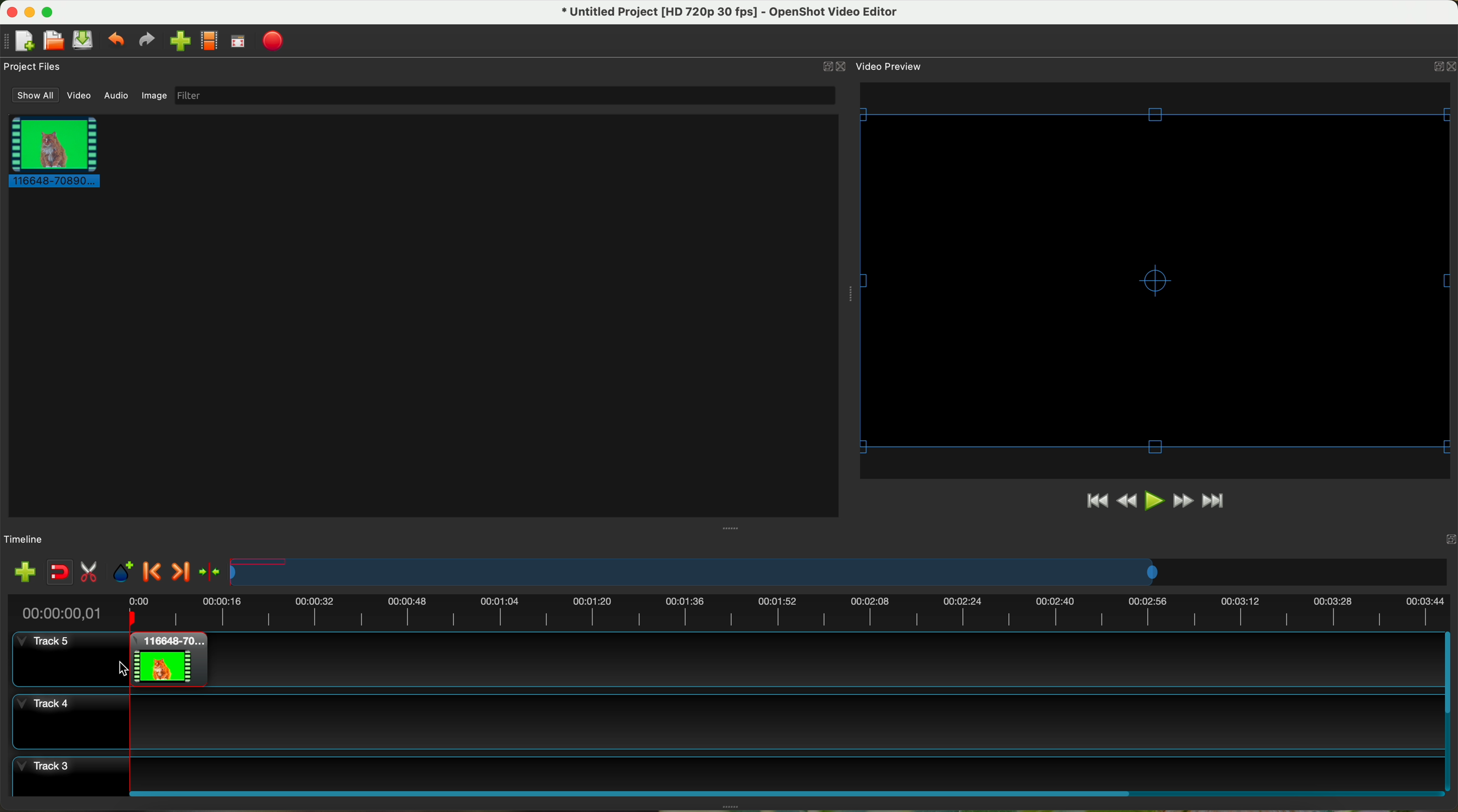  What do you see at coordinates (33, 95) in the screenshot?
I see `show all` at bounding box center [33, 95].